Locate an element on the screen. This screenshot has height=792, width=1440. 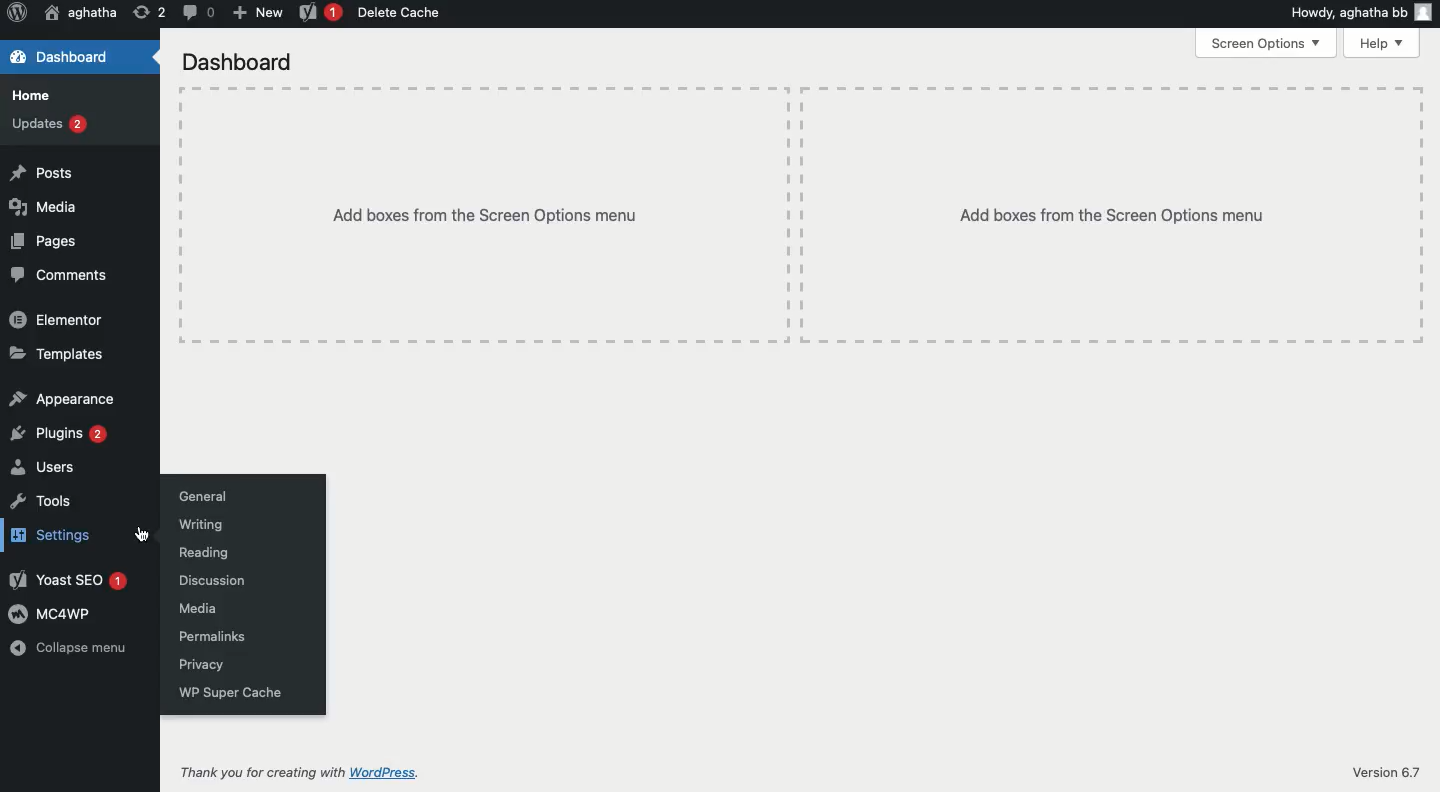
Help is located at coordinates (1383, 44).